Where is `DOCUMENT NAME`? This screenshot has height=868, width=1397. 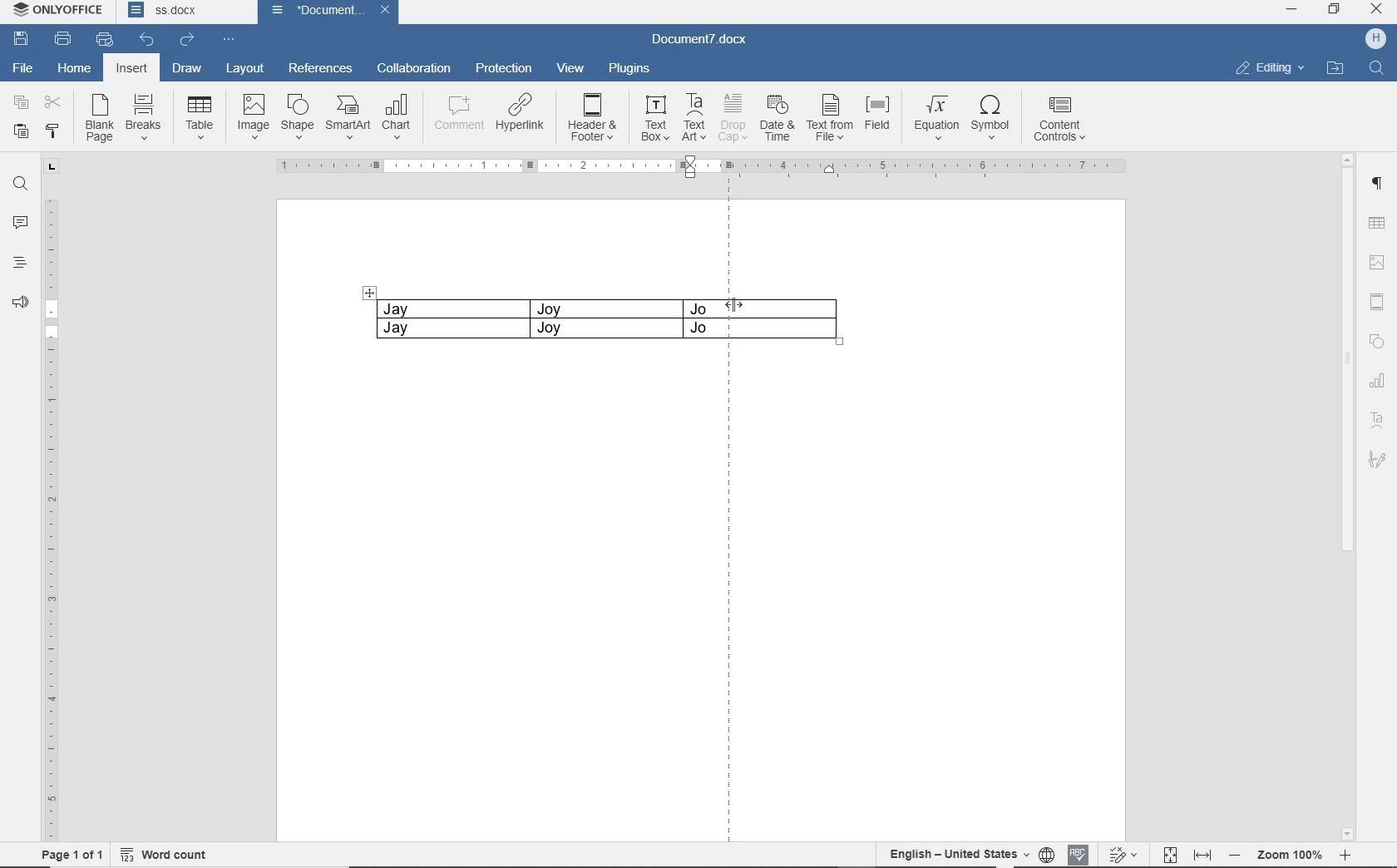 DOCUMENT NAME is located at coordinates (703, 42).